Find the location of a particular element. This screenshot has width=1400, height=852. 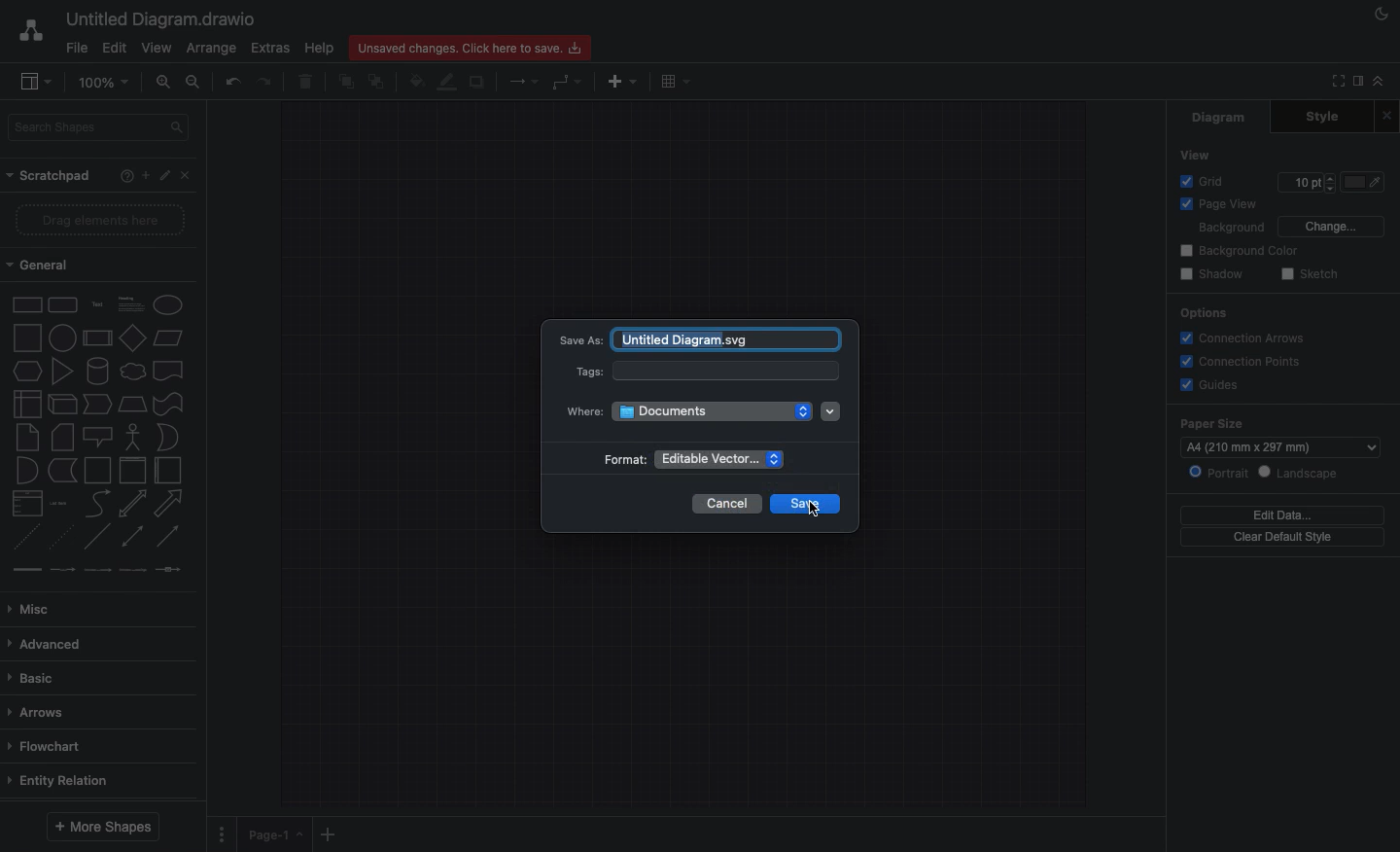

Fill color is located at coordinates (419, 81).